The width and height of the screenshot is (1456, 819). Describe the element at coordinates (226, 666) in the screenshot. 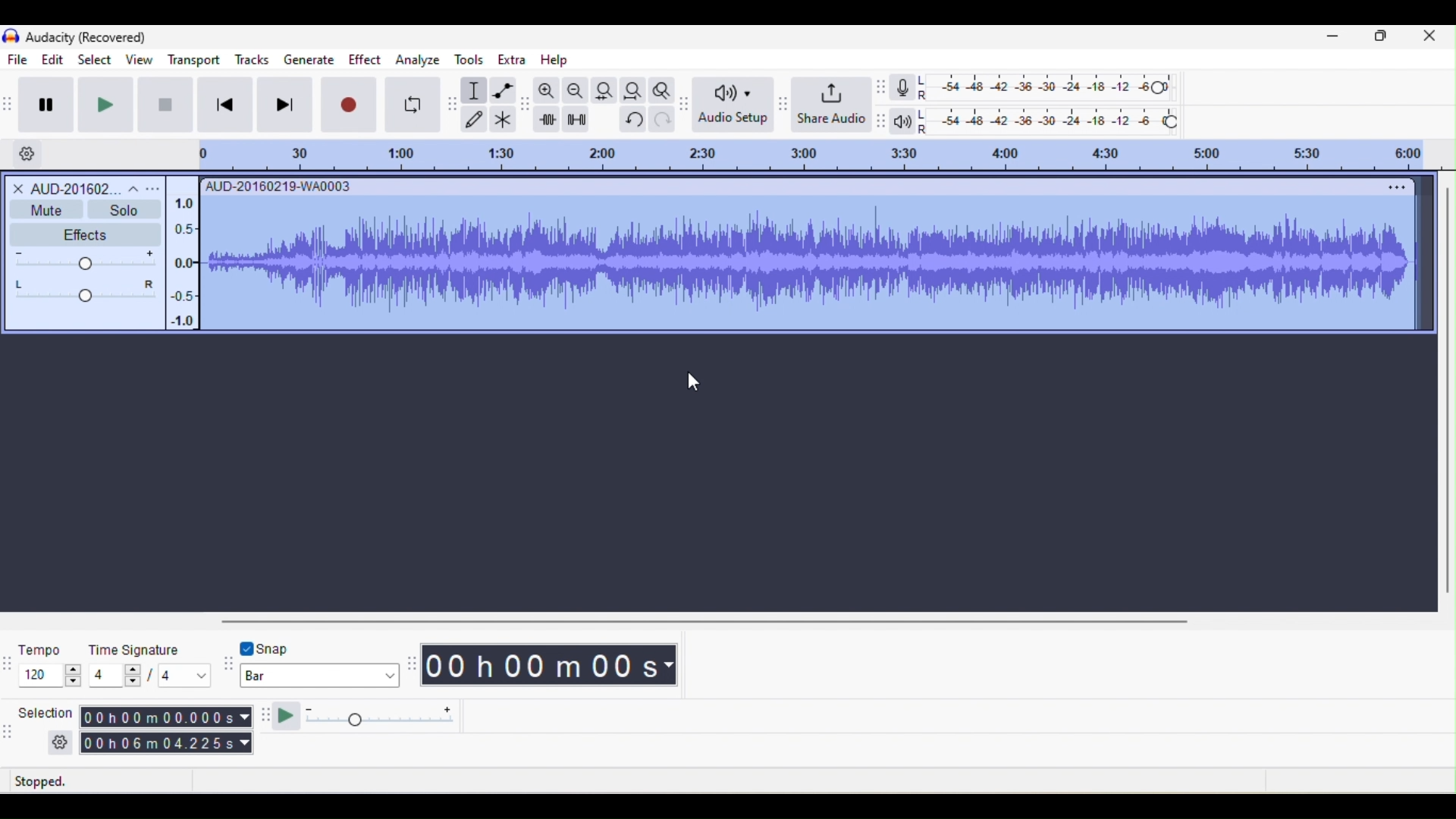

I see `audacity snapping toolbar` at that location.